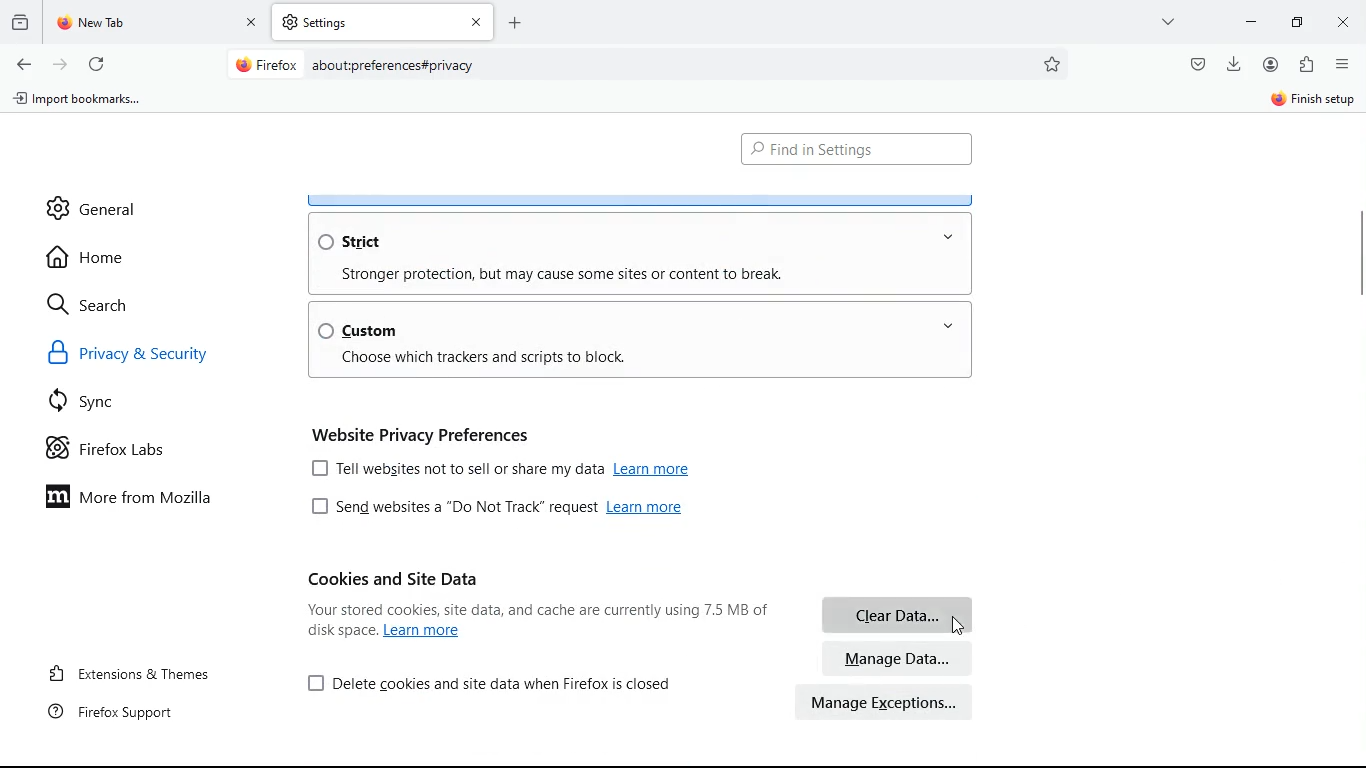  Describe the element at coordinates (93, 201) in the screenshot. I see `general` at that location.